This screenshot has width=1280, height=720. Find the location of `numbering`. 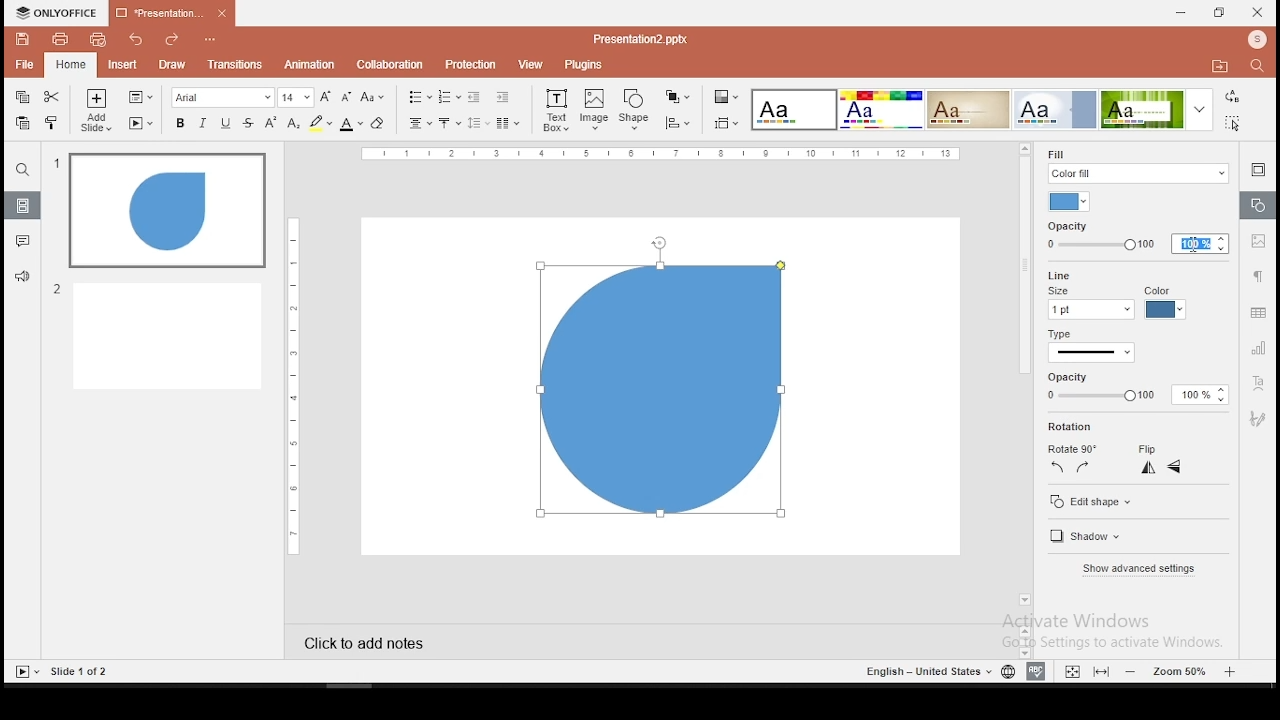

numbering is located at coordinates (449, 96).